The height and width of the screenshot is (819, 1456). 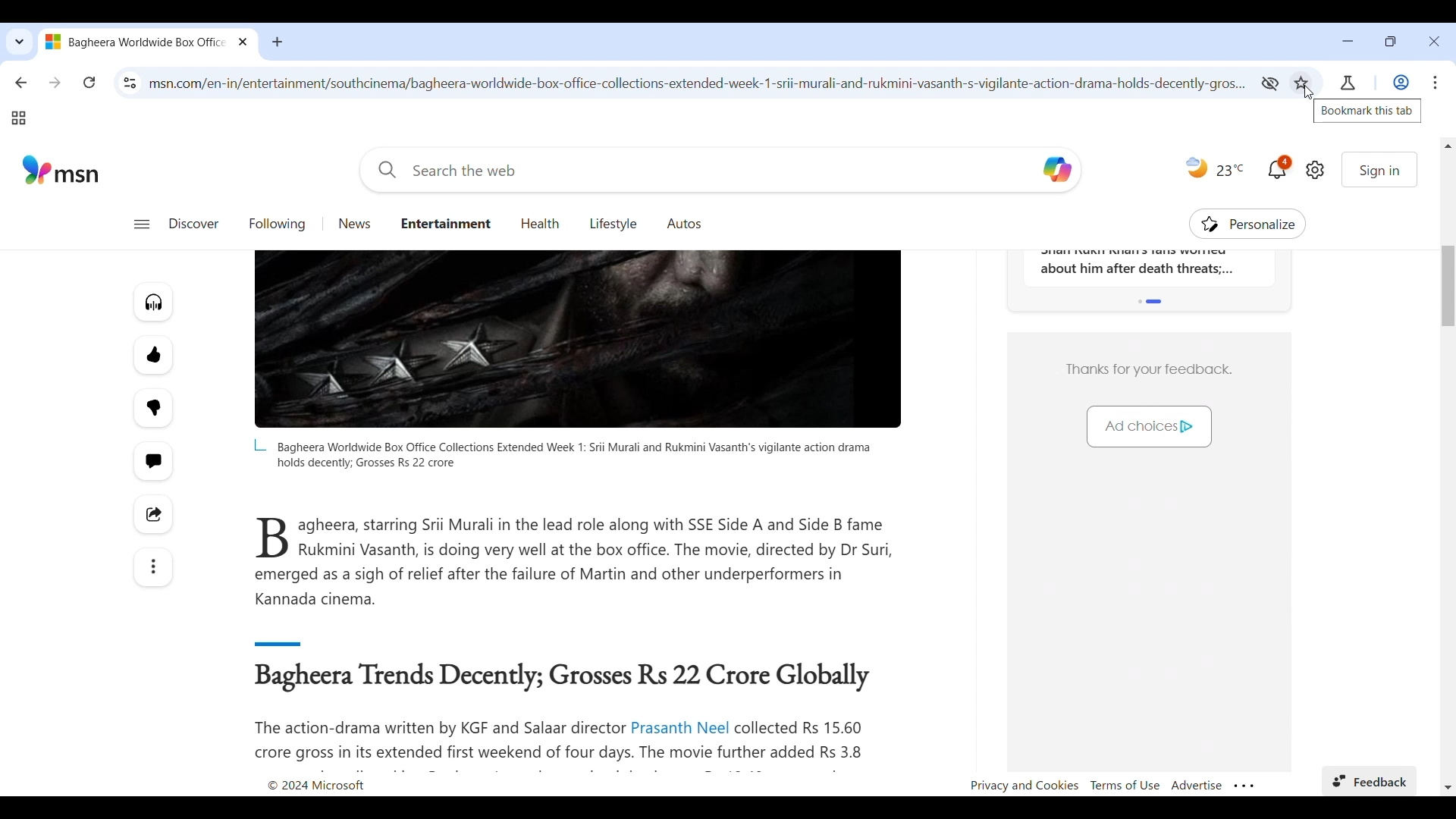 I want to click on Quick slide to top, so click(x=1448, y=146).